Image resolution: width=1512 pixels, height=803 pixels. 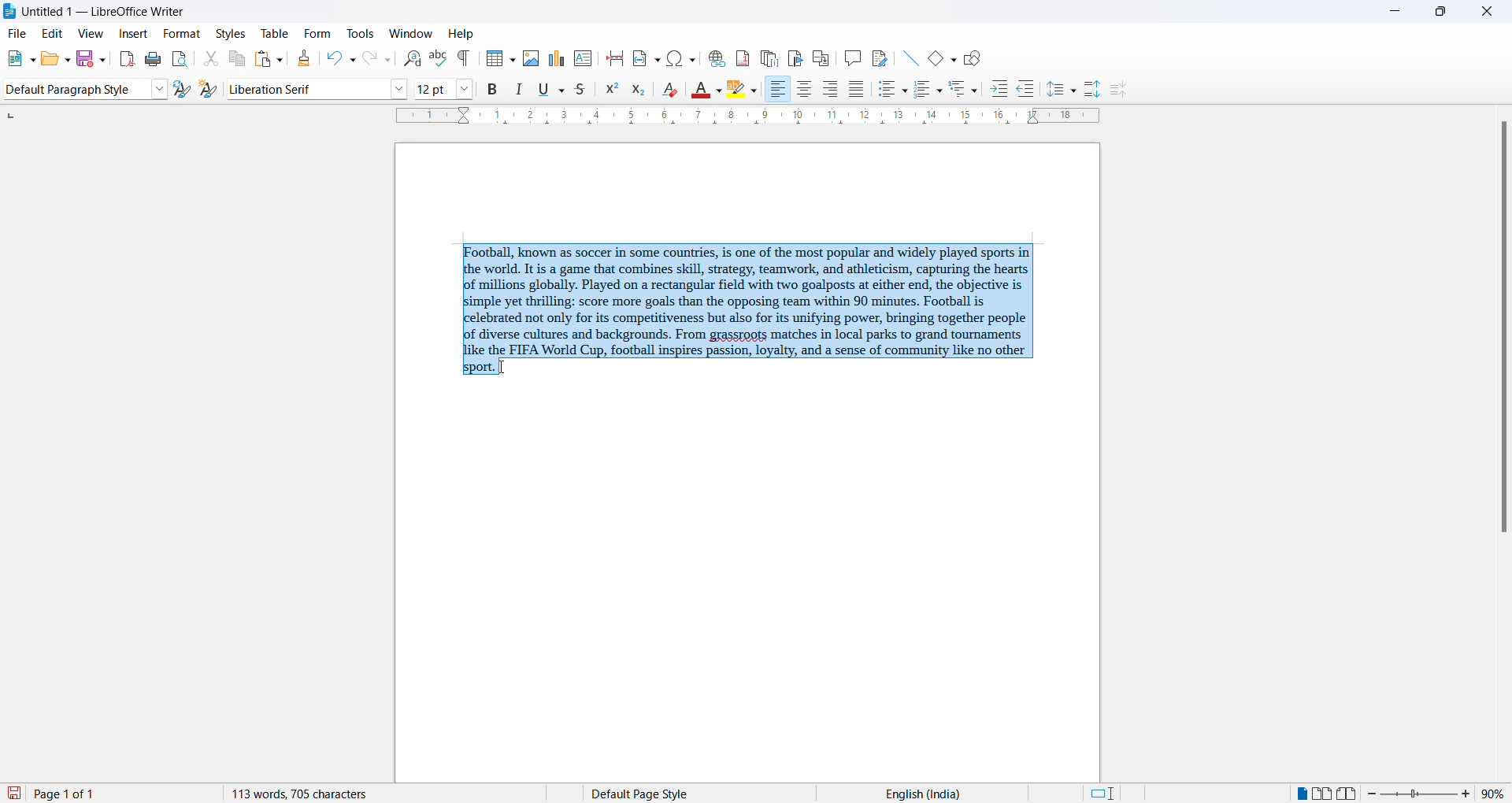 What do you see at coordinates (769, 56) in the screenshot?
I see `insert endnote` at bounding box center [769, 56].